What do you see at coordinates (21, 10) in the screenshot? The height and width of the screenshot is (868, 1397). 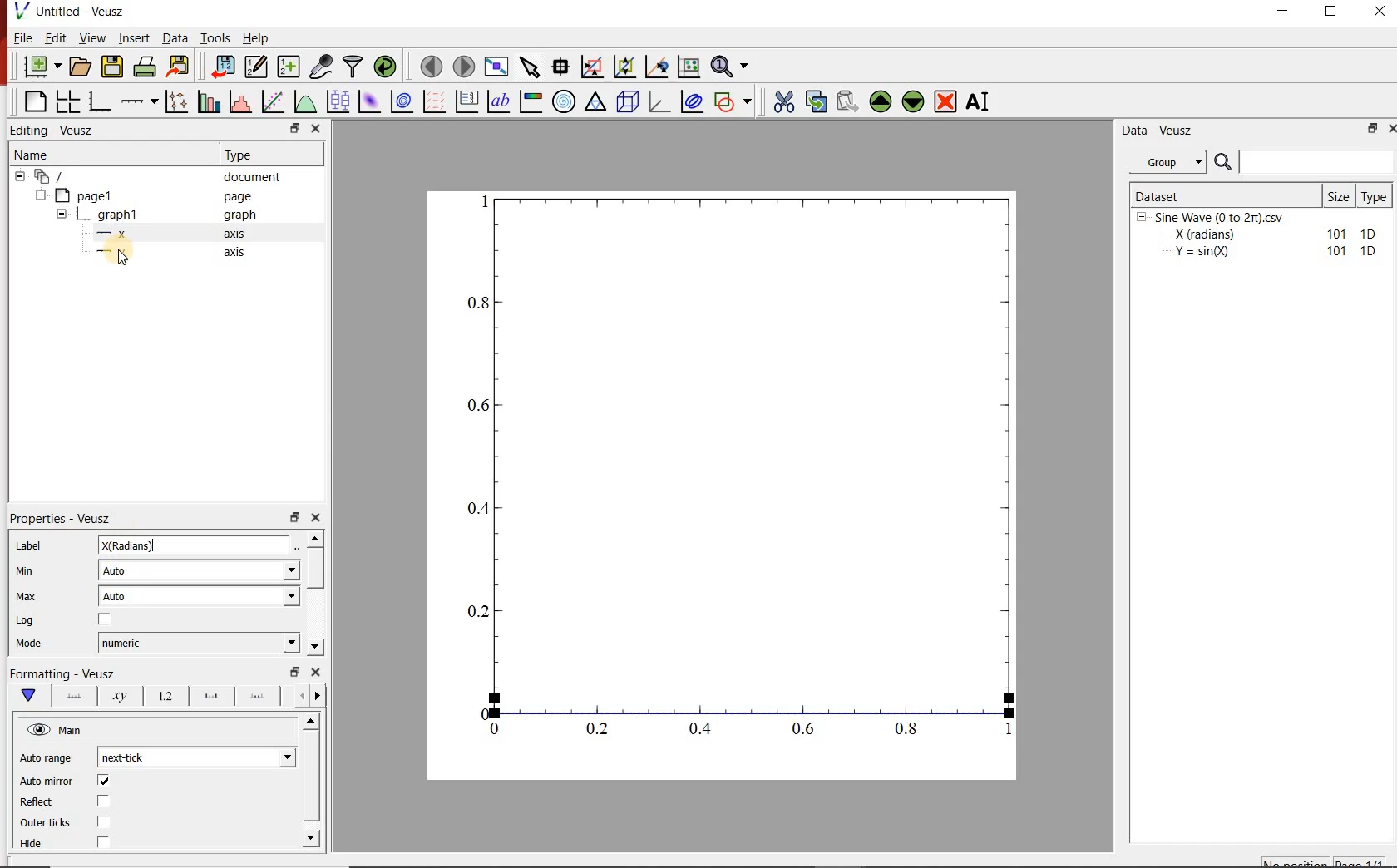 I see `Logo` at bounding box center [21, 10].